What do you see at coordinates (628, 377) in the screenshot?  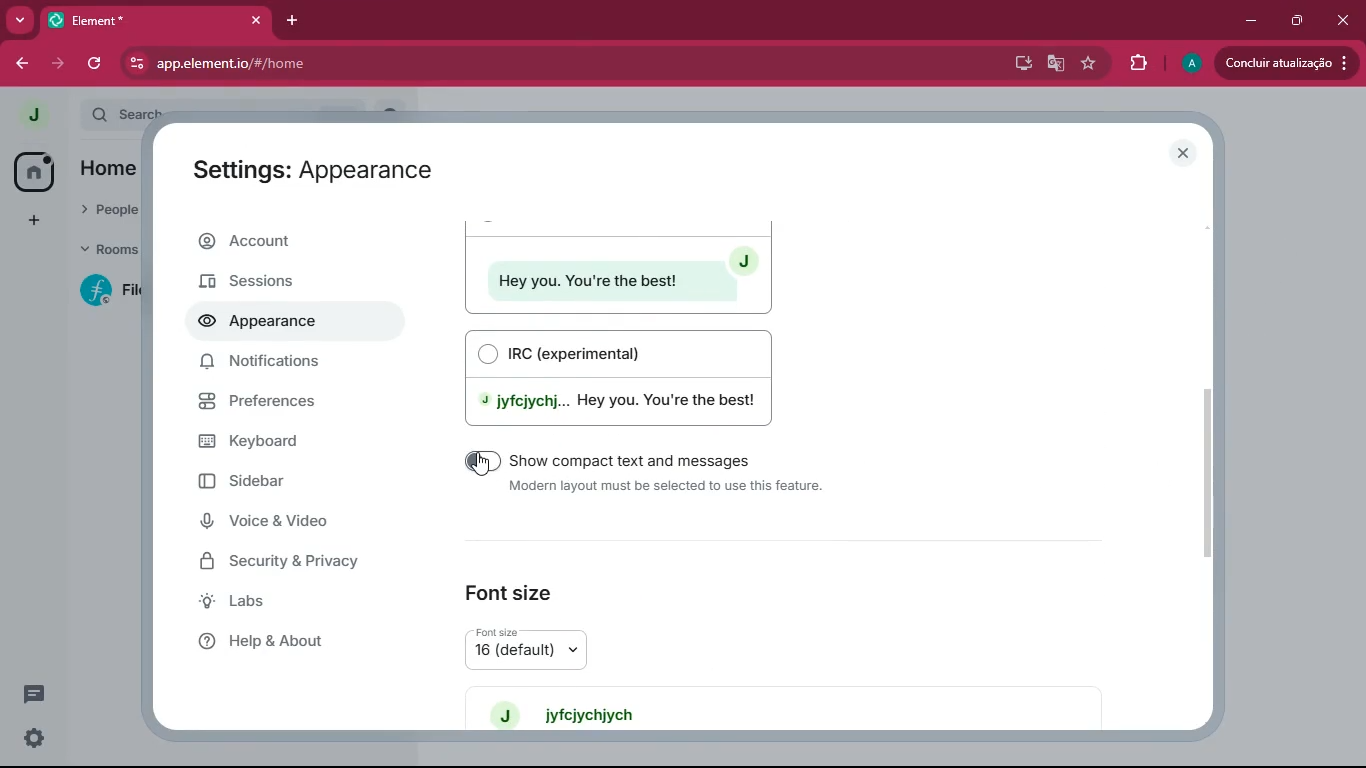 I see `irc ` at bounding box center [628, 377].